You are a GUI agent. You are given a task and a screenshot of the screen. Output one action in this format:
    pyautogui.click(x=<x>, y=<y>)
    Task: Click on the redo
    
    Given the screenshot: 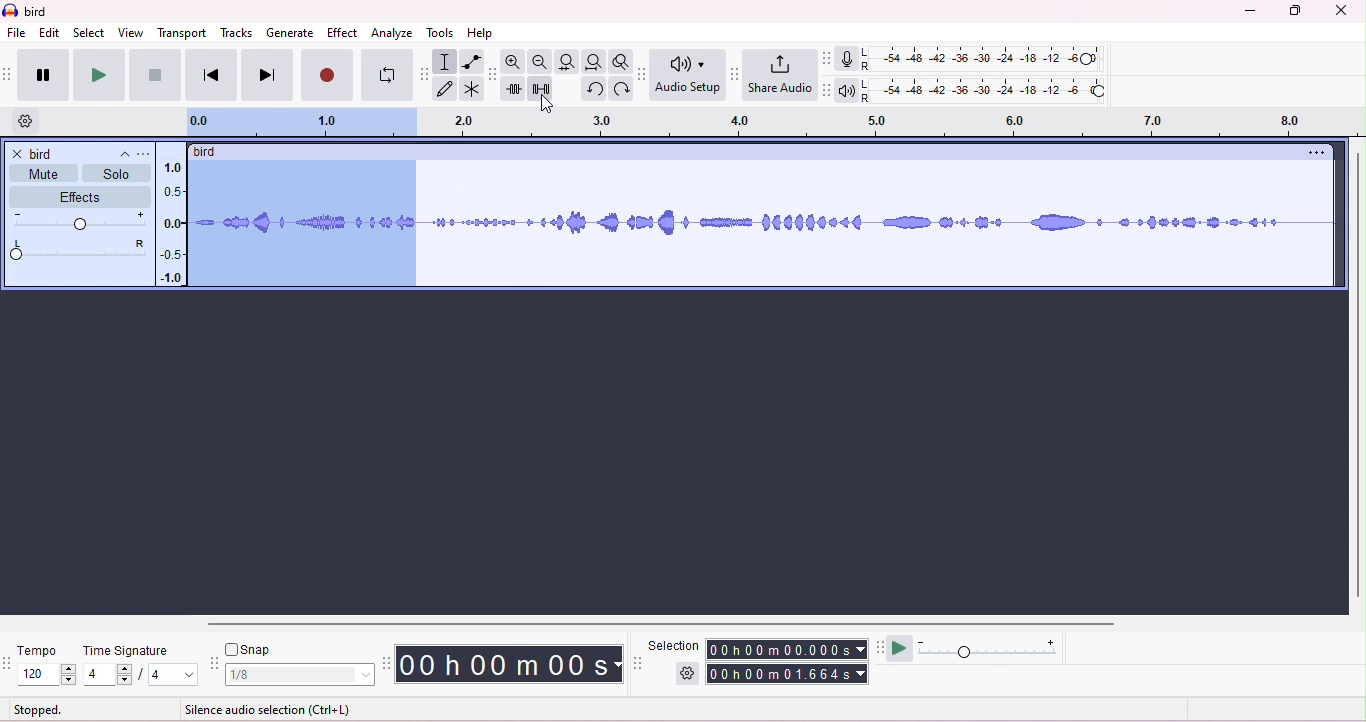 What is the action you would take?
    pyautogui.click(x=624, y=90)
    